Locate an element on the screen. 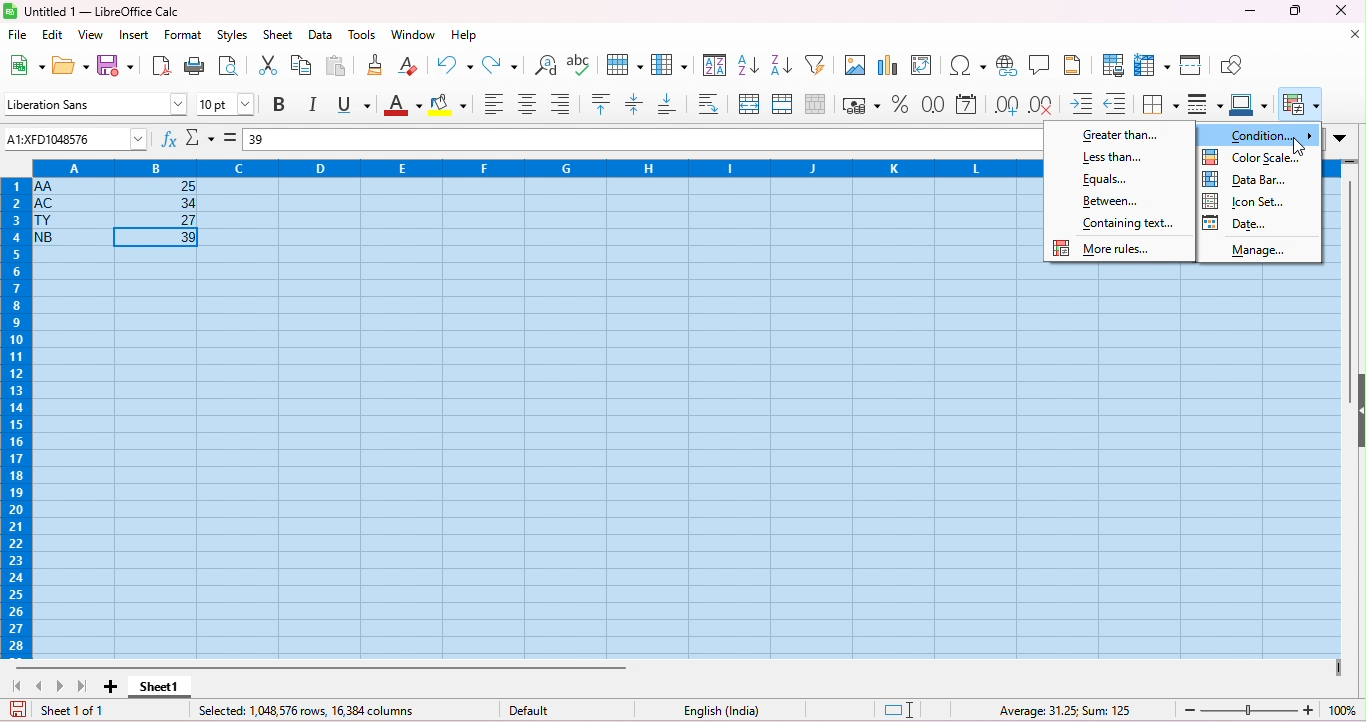 The height and width of the screenshot is (722, 1366). previous sheet is located at coordinates (41, 686).